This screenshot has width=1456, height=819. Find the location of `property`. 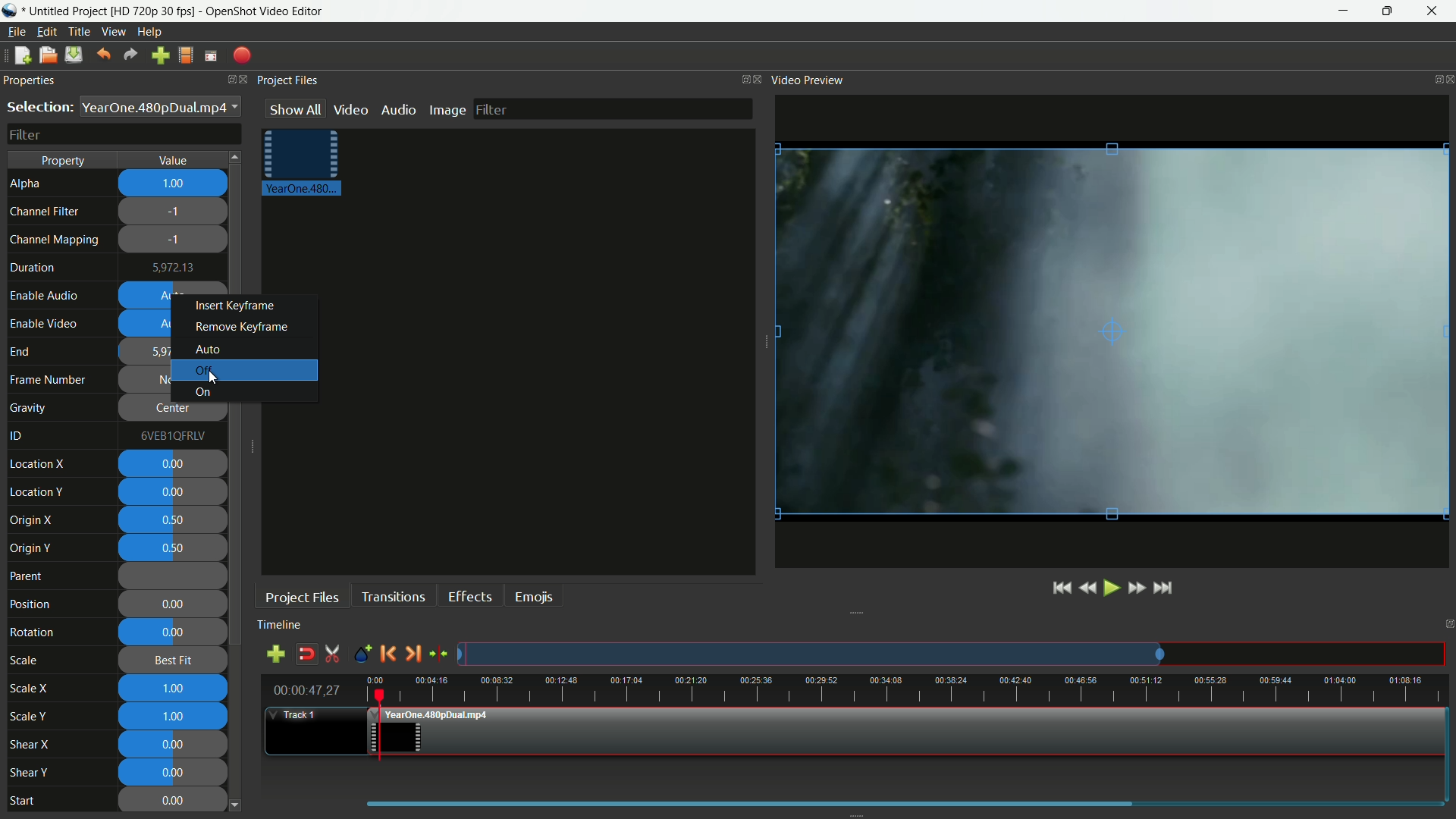

property is located at coordinates (64, 161).